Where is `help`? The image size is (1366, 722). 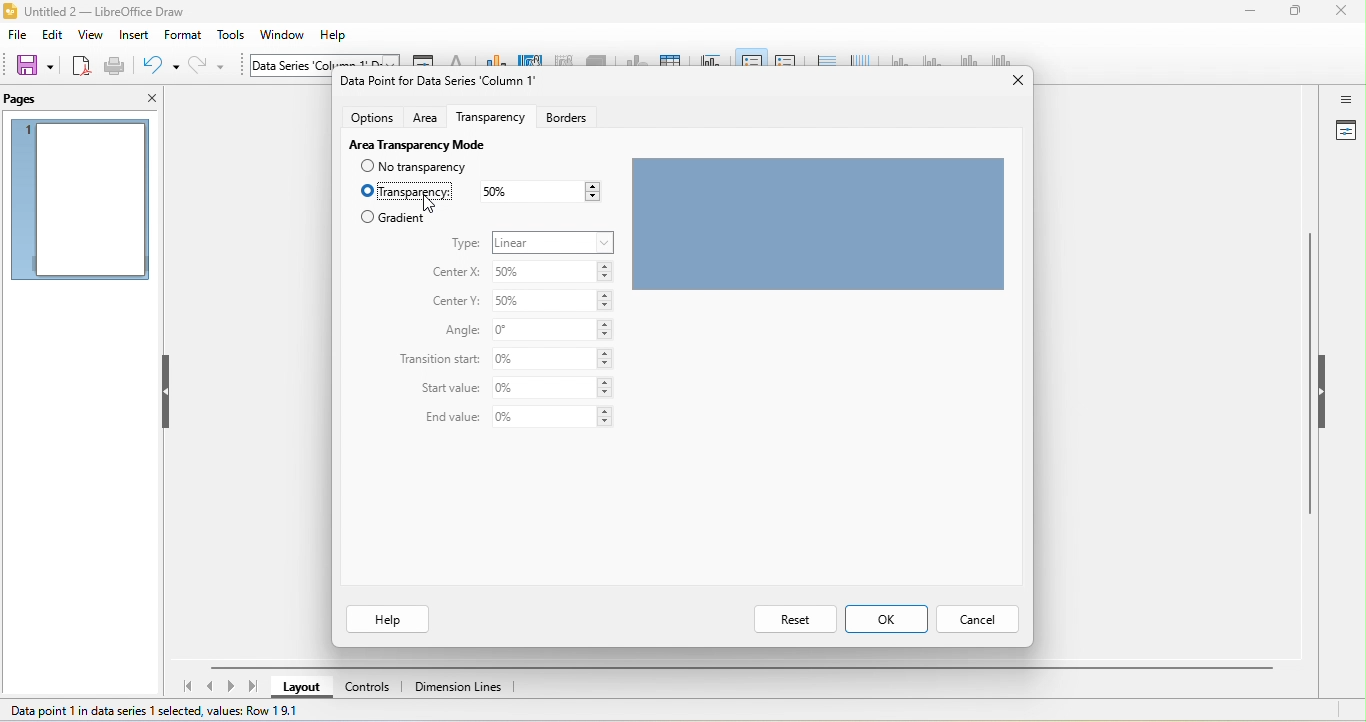
help is located at coordinates (391, 622).